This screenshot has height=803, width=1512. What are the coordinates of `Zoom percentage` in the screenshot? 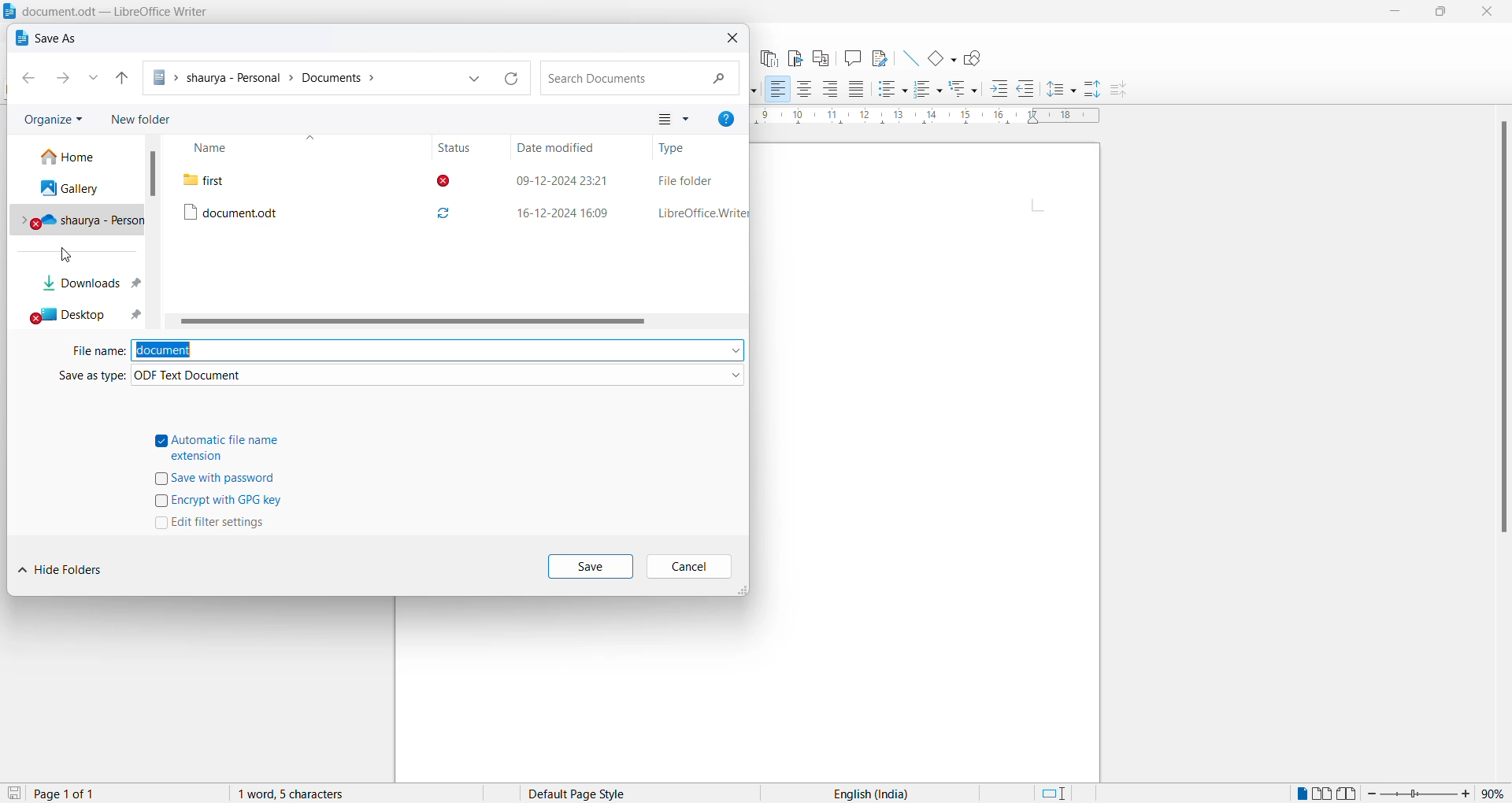 It's located at (1493, 794).